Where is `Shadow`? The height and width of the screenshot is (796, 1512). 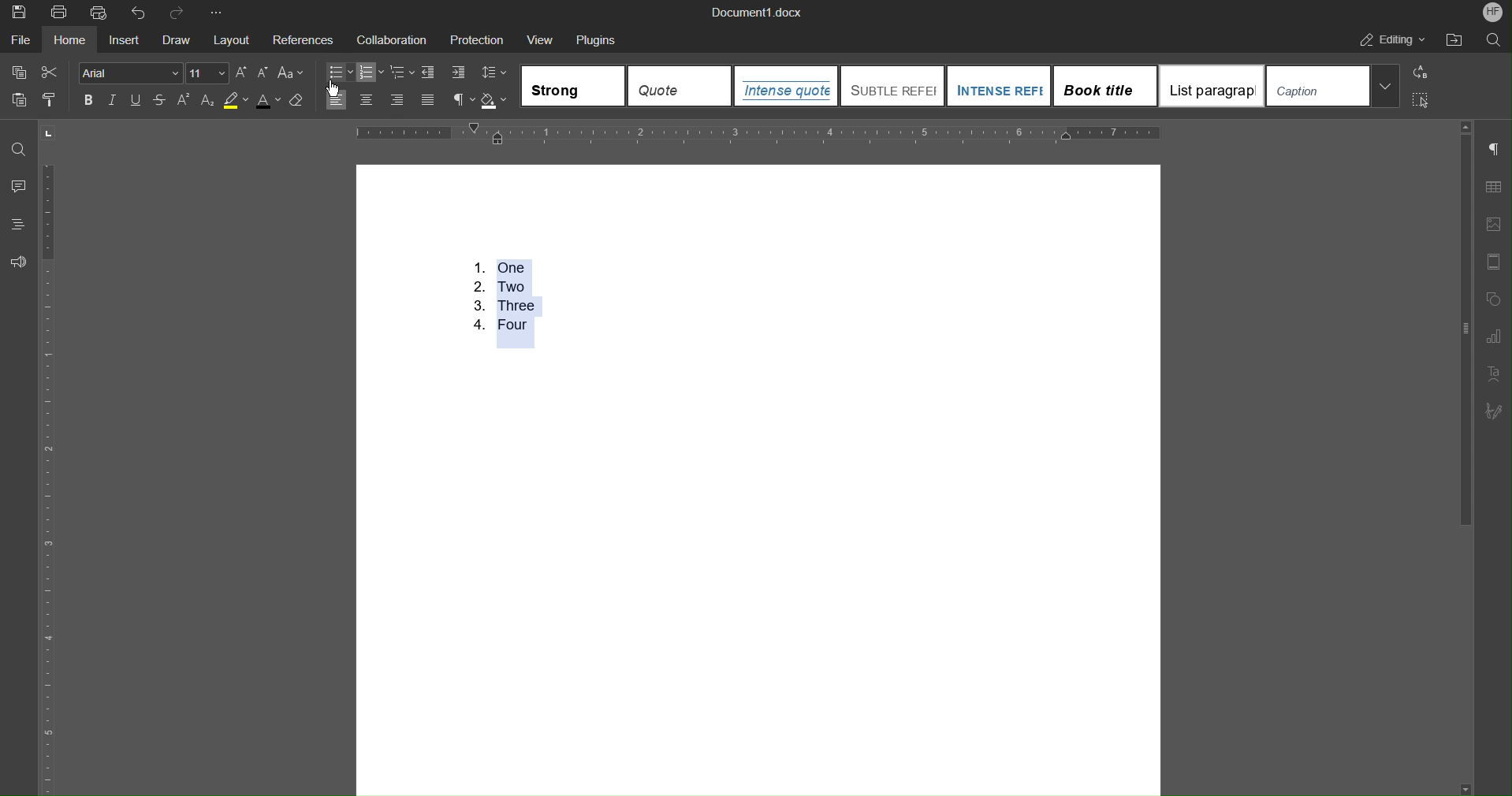 Shadow is located at coordinates (497, 102).